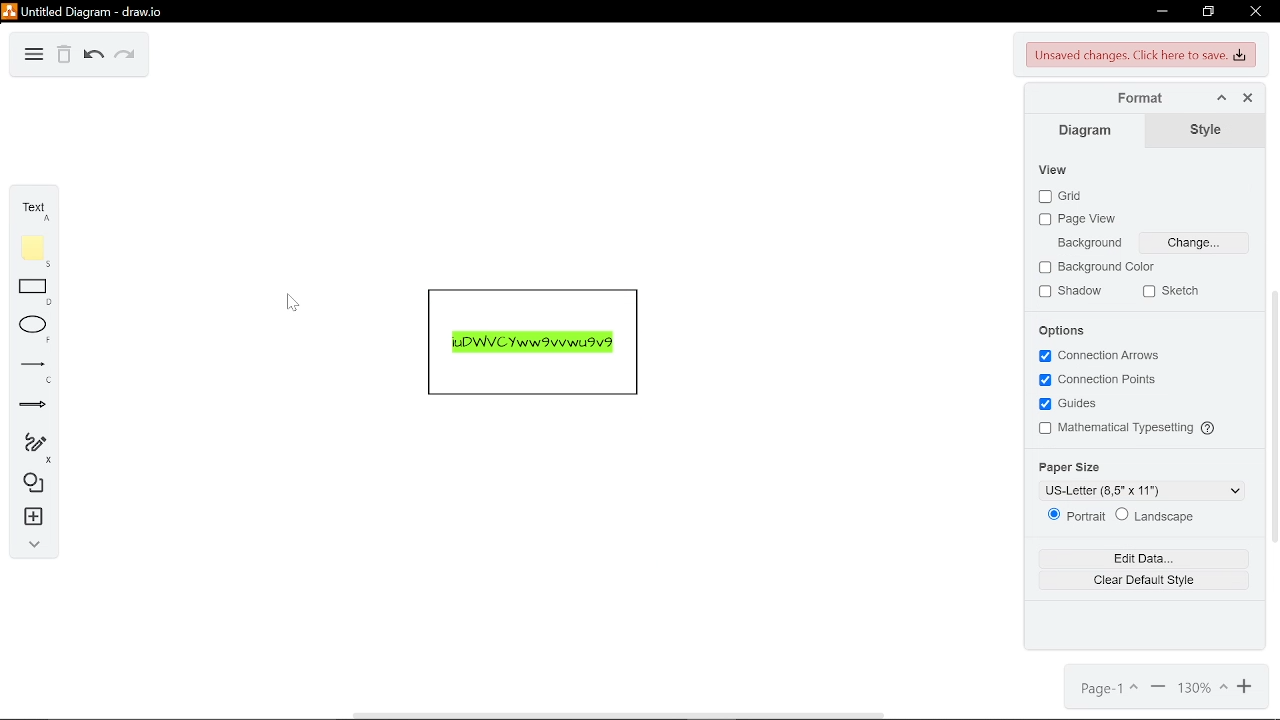  What do you see at coordinates (1129, 430) in the screenshot?
I see `mathematical typesetting` at bounding box center [1129, 430].